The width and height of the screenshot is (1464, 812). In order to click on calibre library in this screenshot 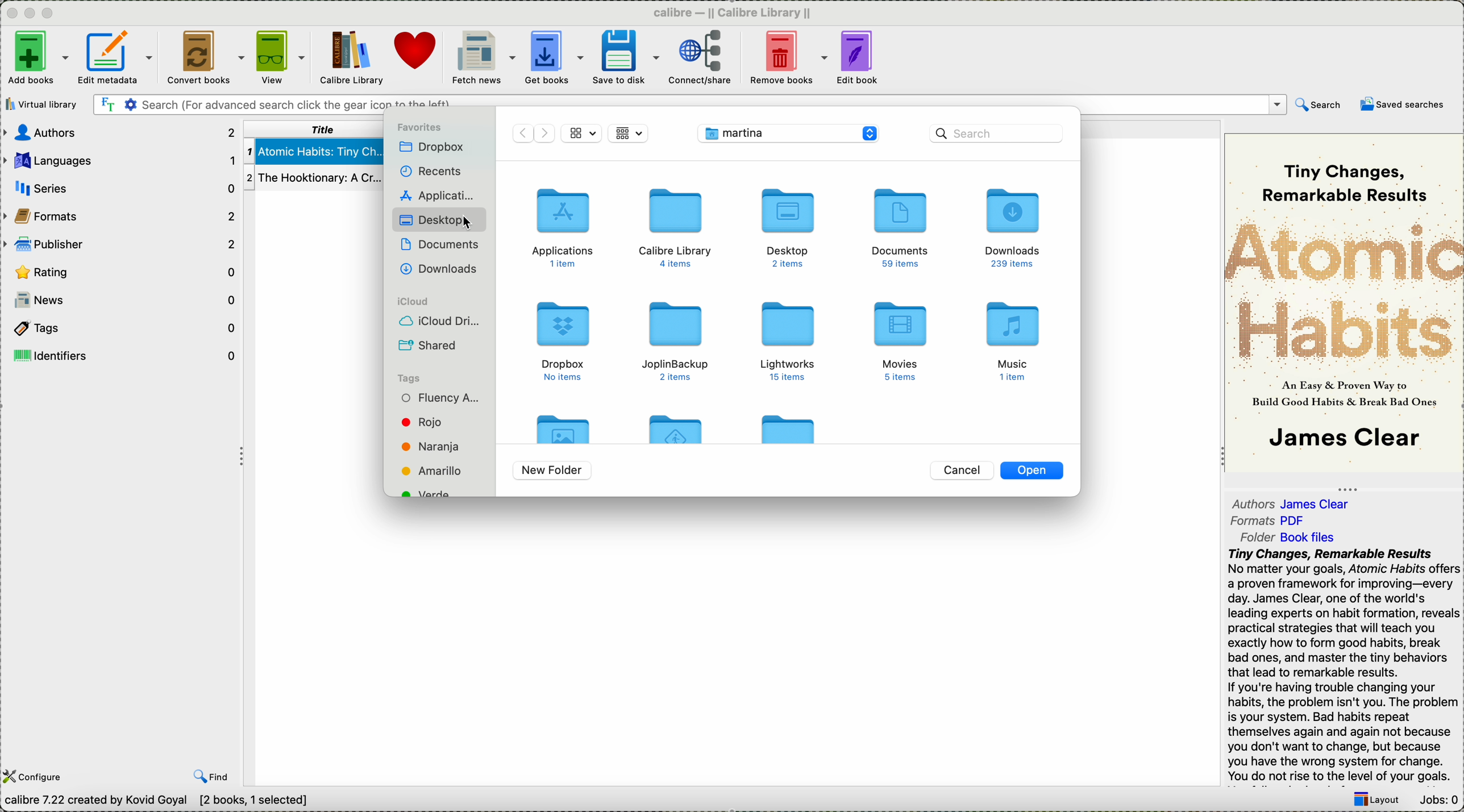, I will do `click(676, 227)`.